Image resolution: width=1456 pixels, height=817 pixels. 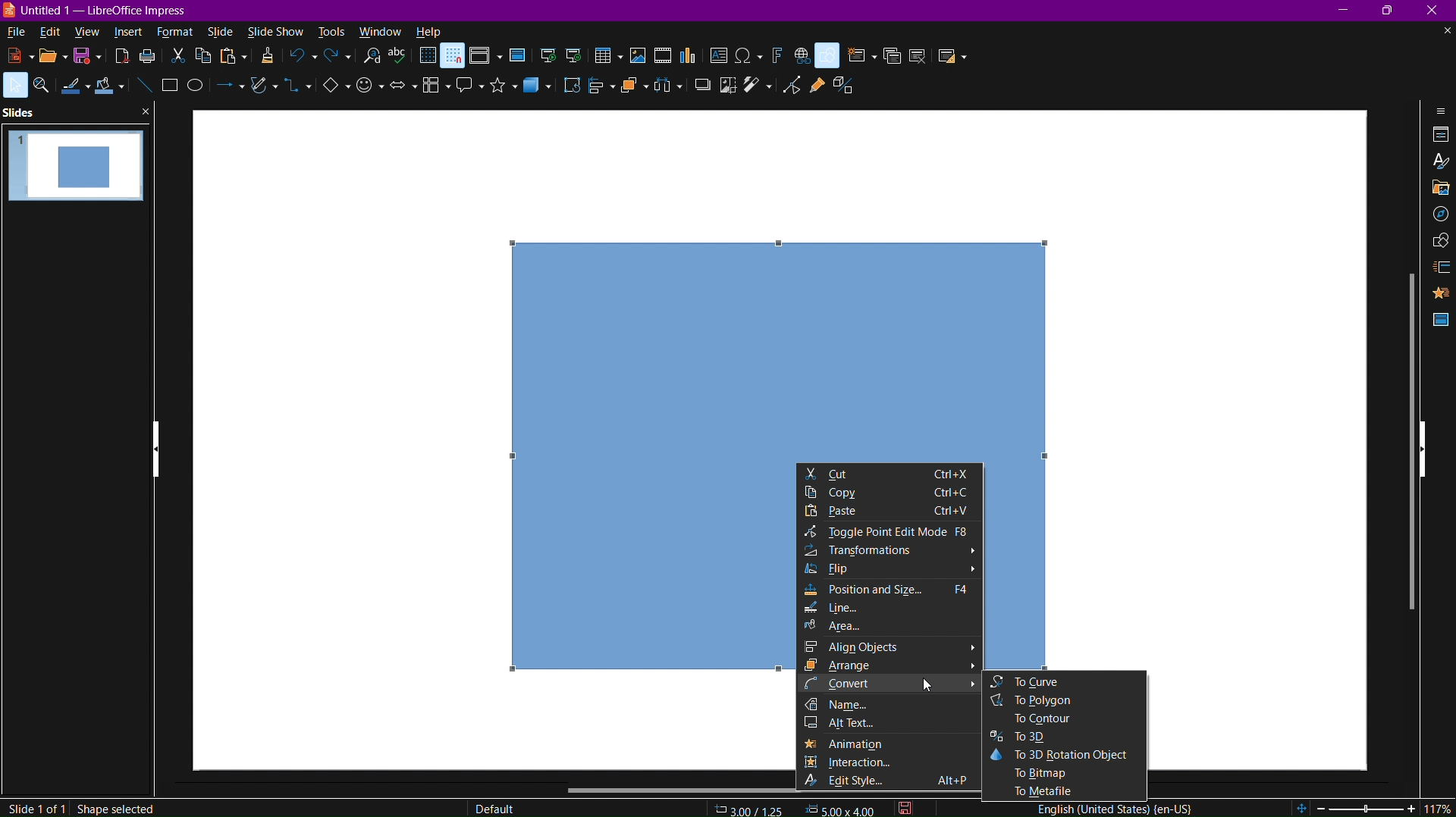 I want to click on insert, so click(x=131, y=32).